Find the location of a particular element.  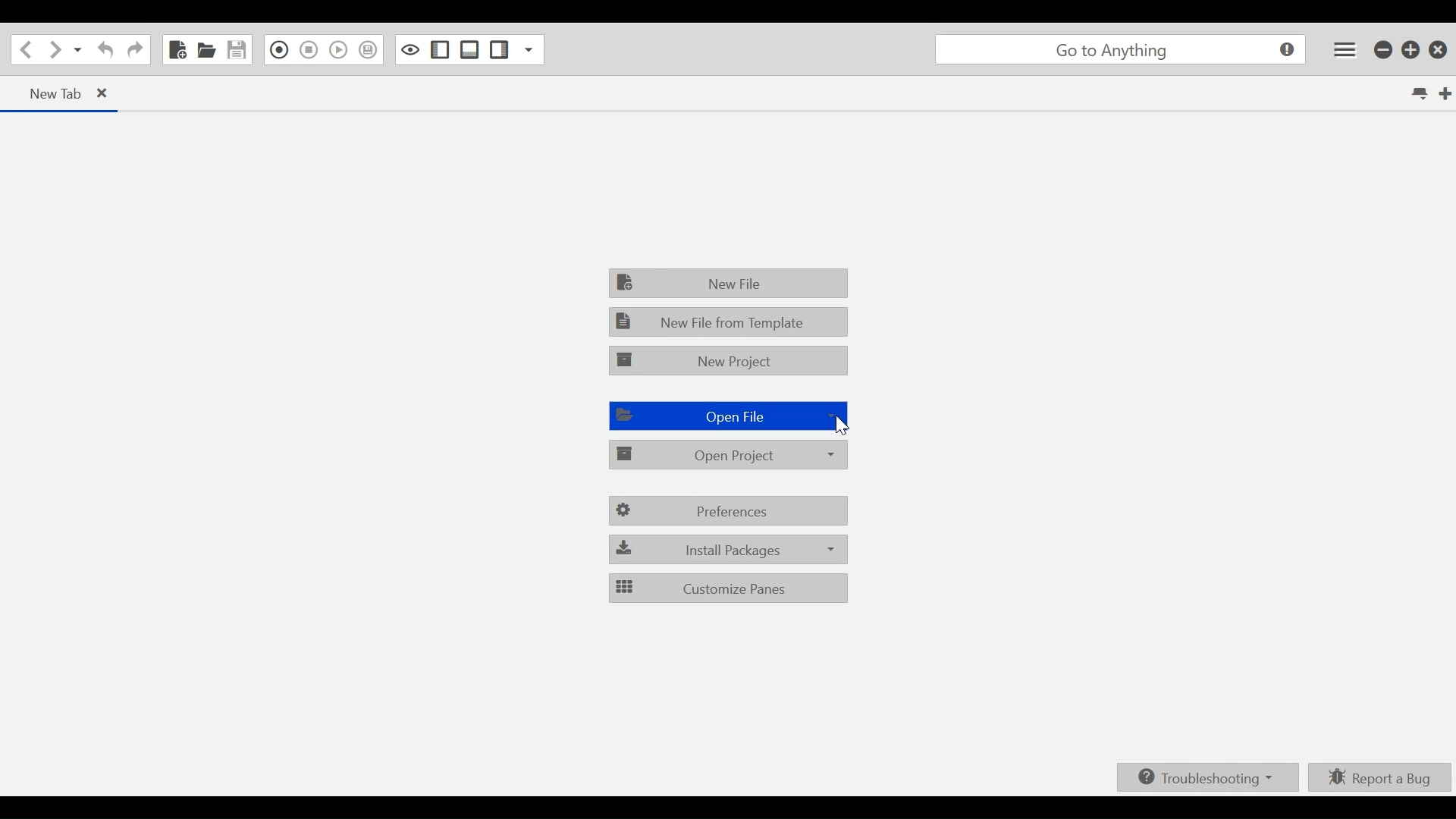

Show/ide Bottom Sidebar is located at coordinates (471, 50).